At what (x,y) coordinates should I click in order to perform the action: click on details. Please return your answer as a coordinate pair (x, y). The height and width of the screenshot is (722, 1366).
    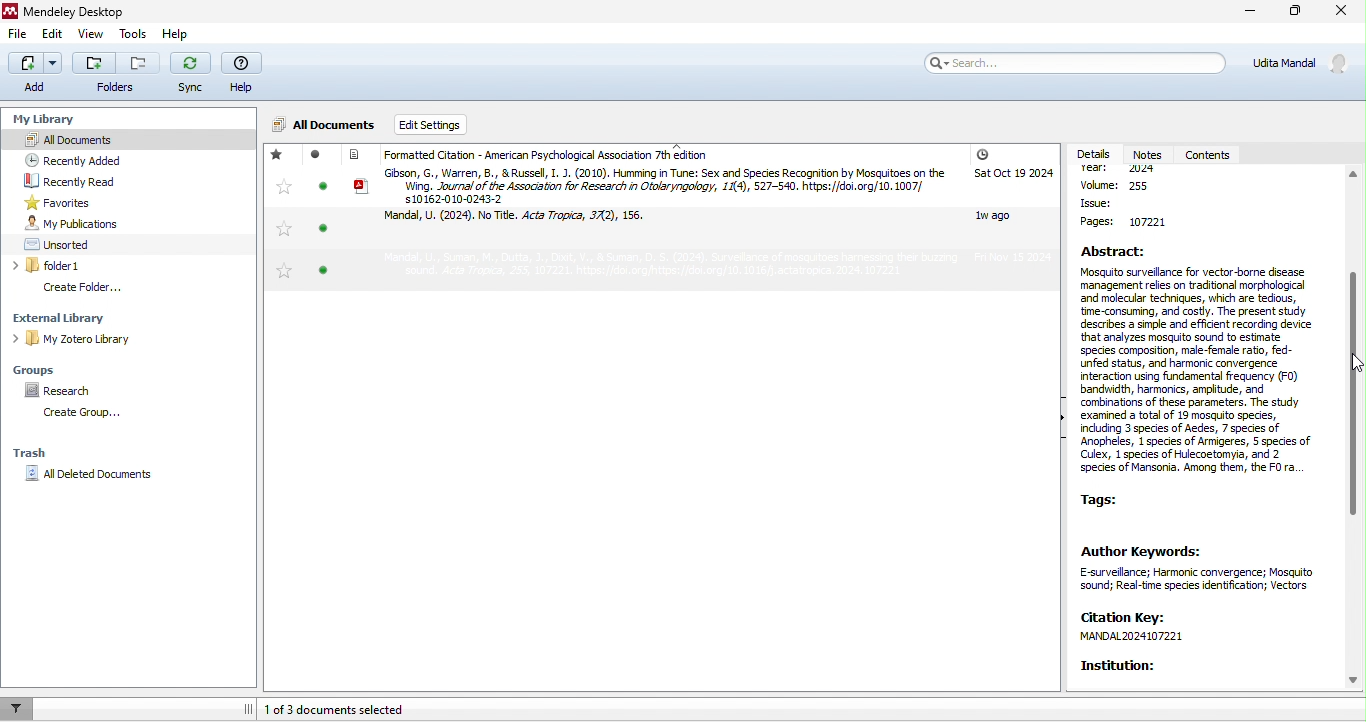
    Looking at the image, I should click on (1091, 155).